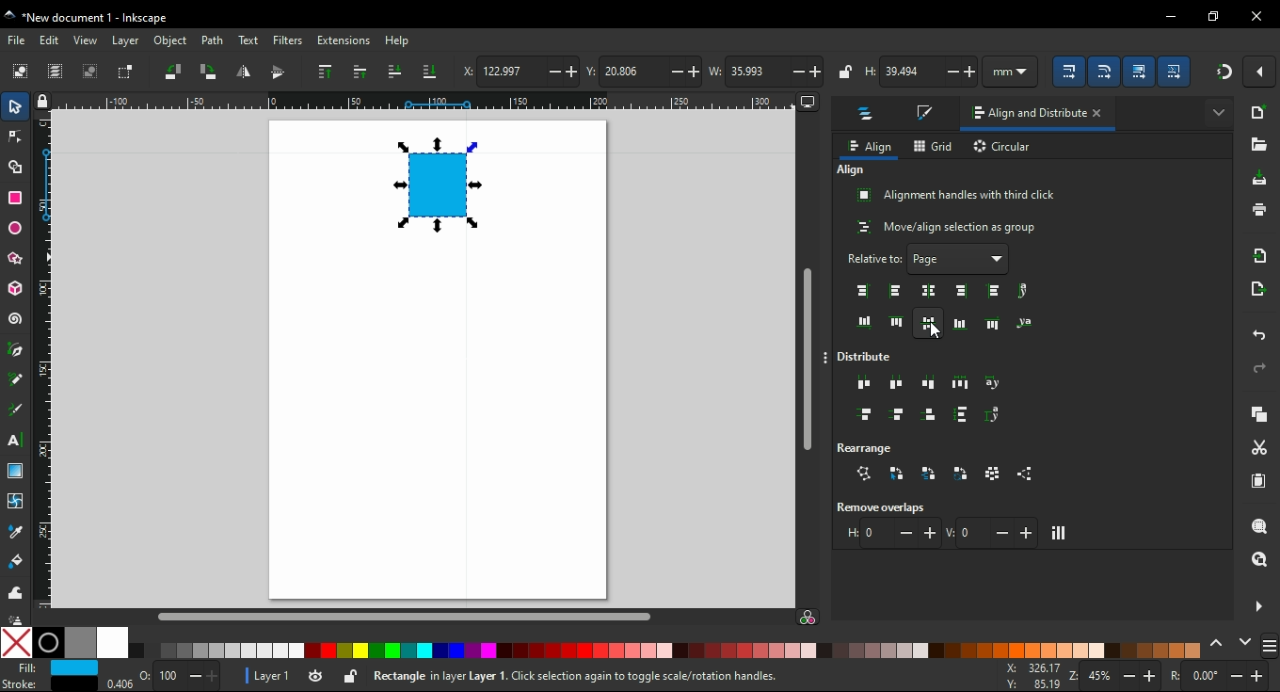 The width and height of the screenshot is (1280, 692). Describe the element at coordinates (213, 41) in the screenshot. I see `path` at that location.